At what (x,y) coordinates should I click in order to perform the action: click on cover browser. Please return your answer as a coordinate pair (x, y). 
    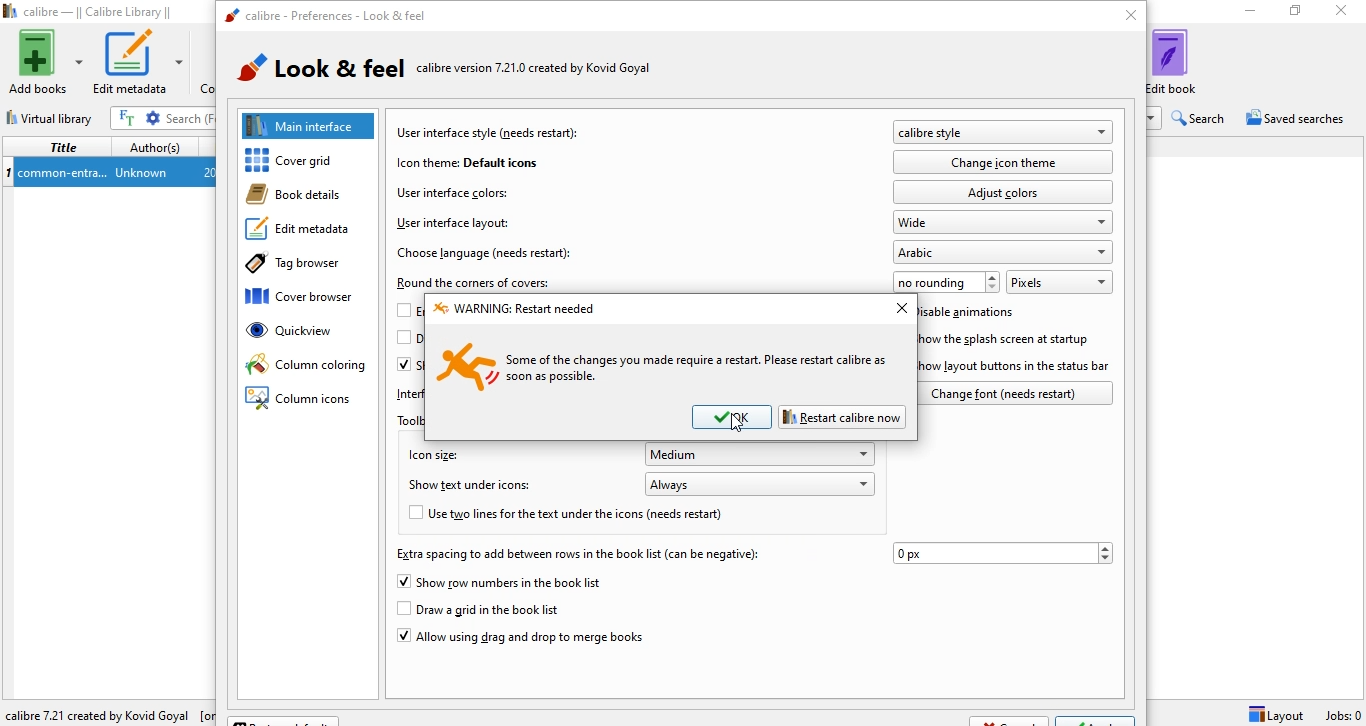
    Looking at the image, I should click on (309, 299).